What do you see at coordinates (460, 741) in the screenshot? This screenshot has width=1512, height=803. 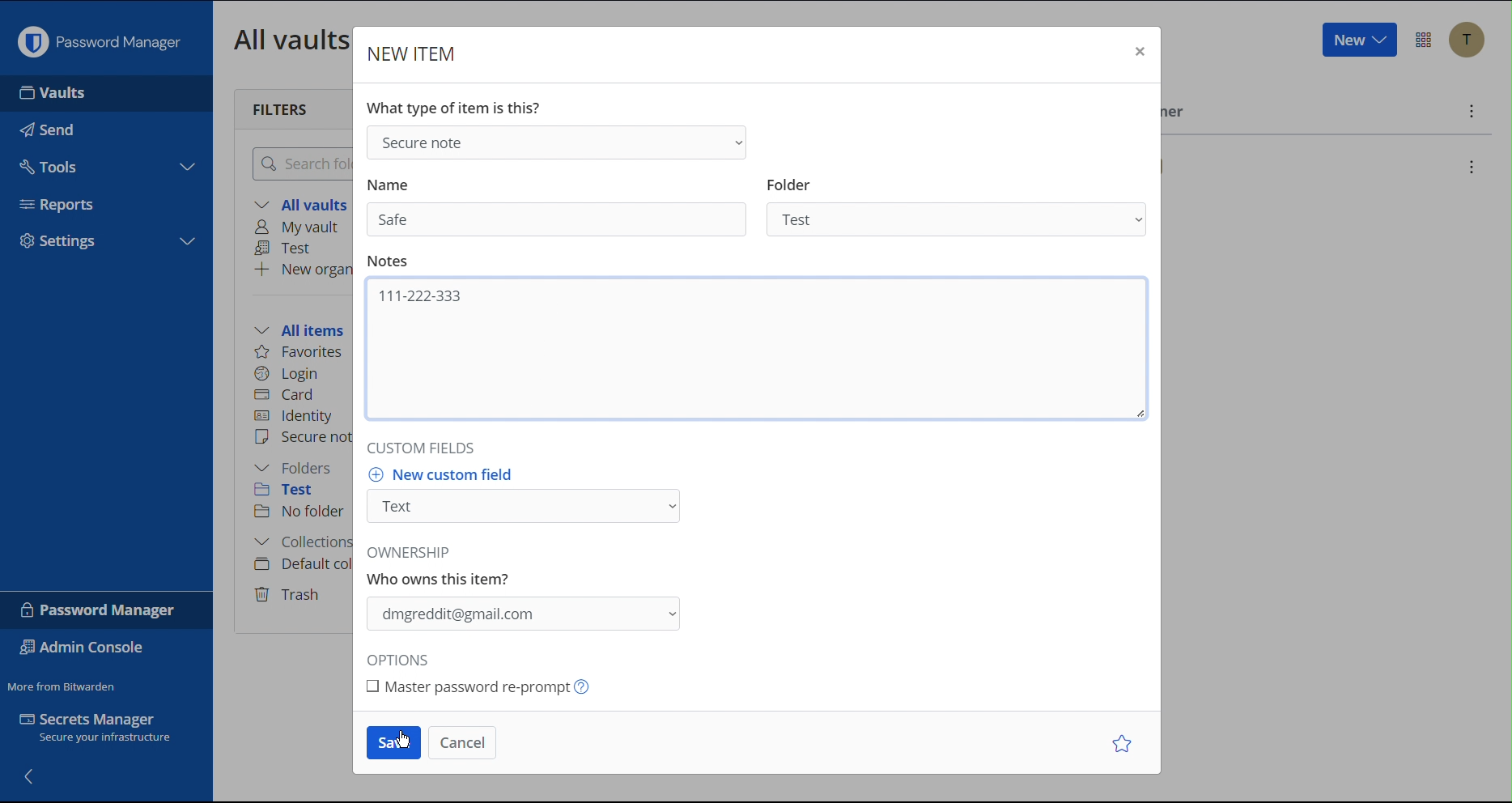 I see `Cancel` at bounding box center [460, 741].